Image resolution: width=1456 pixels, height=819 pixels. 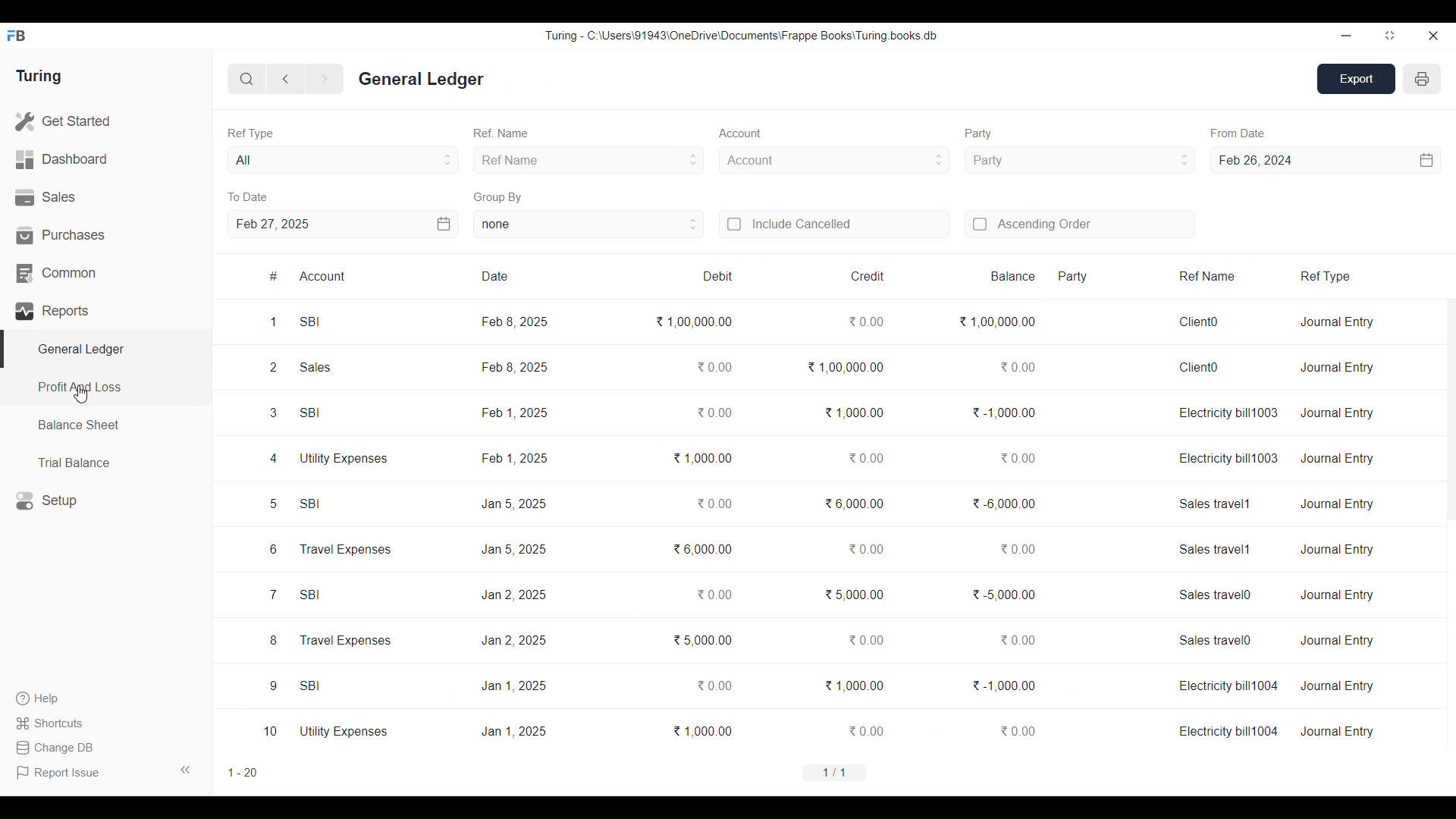 I want to click on Credit, so click(x=841, y=277).